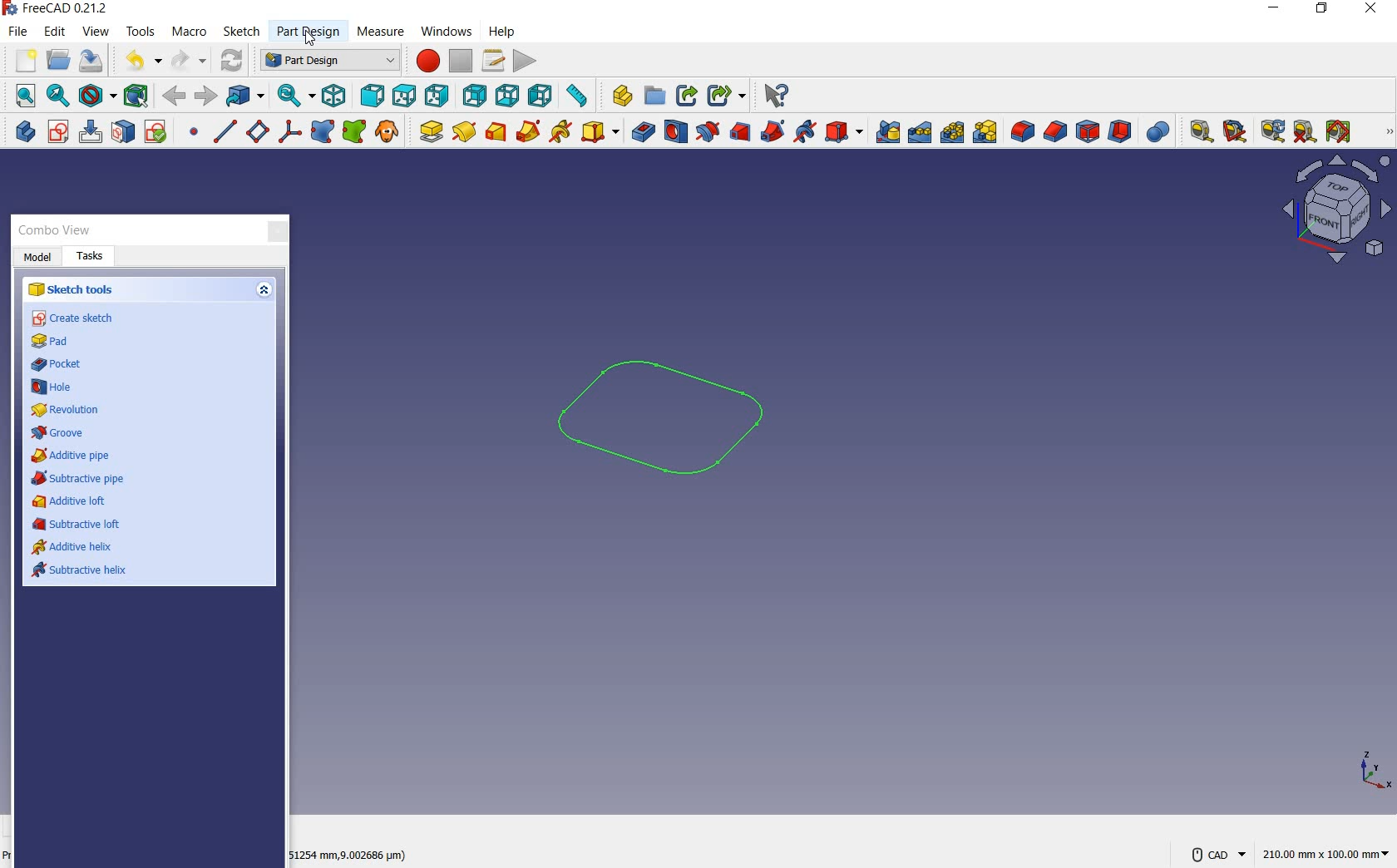  What do you see at coordinates (73, 456) in the screenshot?
I see `additive pipe` at bounding box center [73, 456].